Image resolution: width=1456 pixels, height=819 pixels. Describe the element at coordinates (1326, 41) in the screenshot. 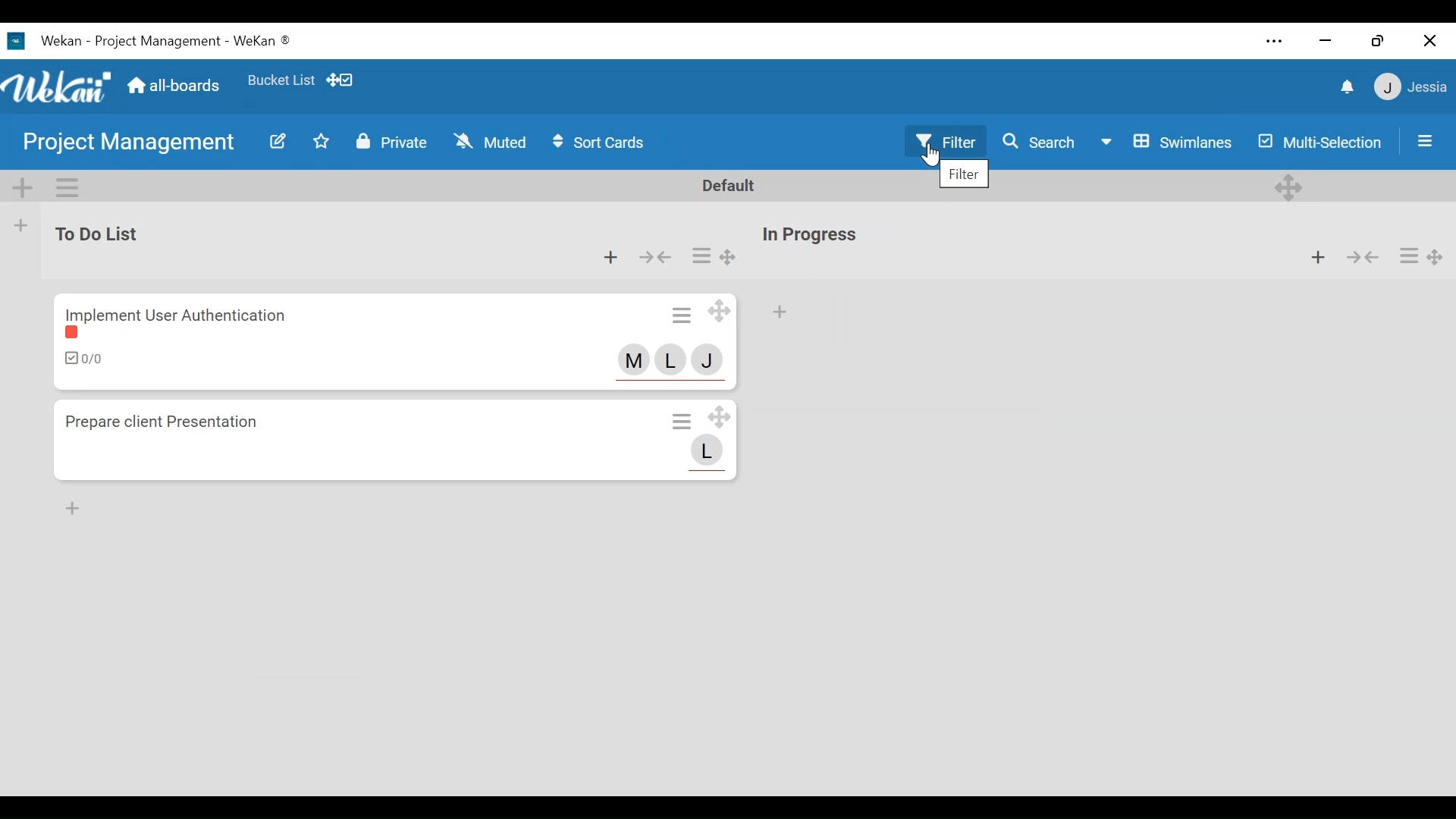

I see `minimize` at that location.